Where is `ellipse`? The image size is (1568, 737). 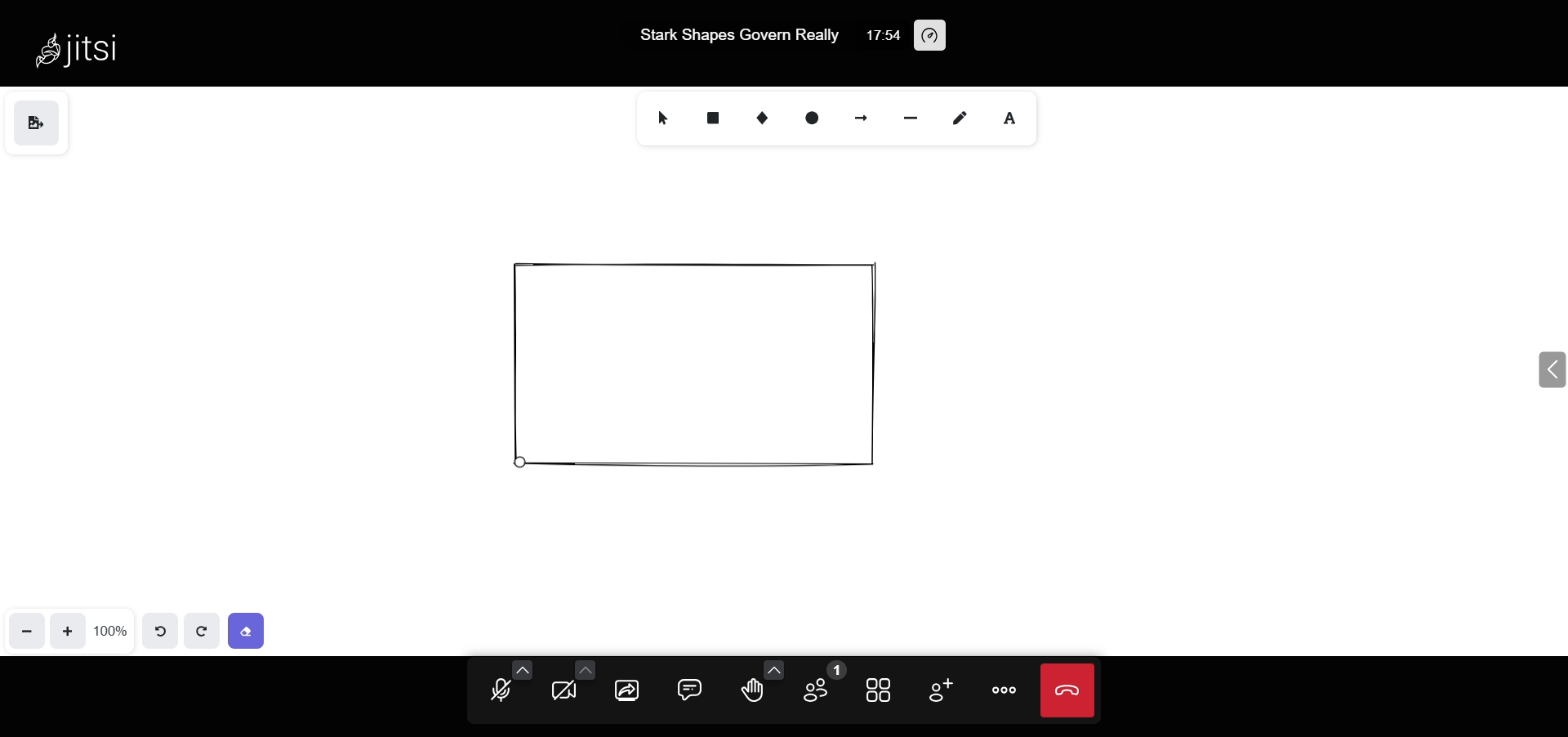 ellipse is located at coordinates (810, 118).